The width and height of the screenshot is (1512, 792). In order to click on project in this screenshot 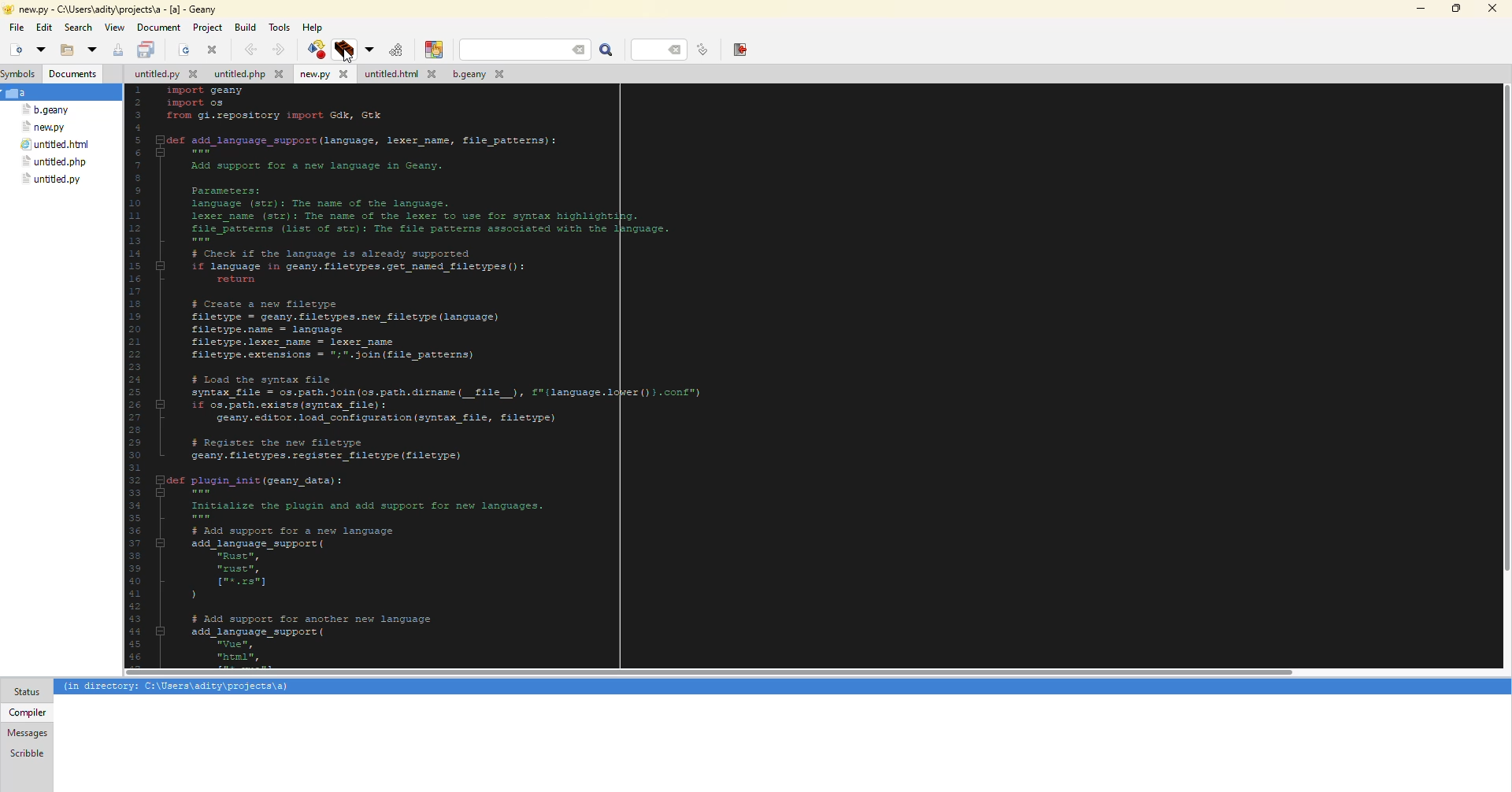, I will do `click(208, 28)`.